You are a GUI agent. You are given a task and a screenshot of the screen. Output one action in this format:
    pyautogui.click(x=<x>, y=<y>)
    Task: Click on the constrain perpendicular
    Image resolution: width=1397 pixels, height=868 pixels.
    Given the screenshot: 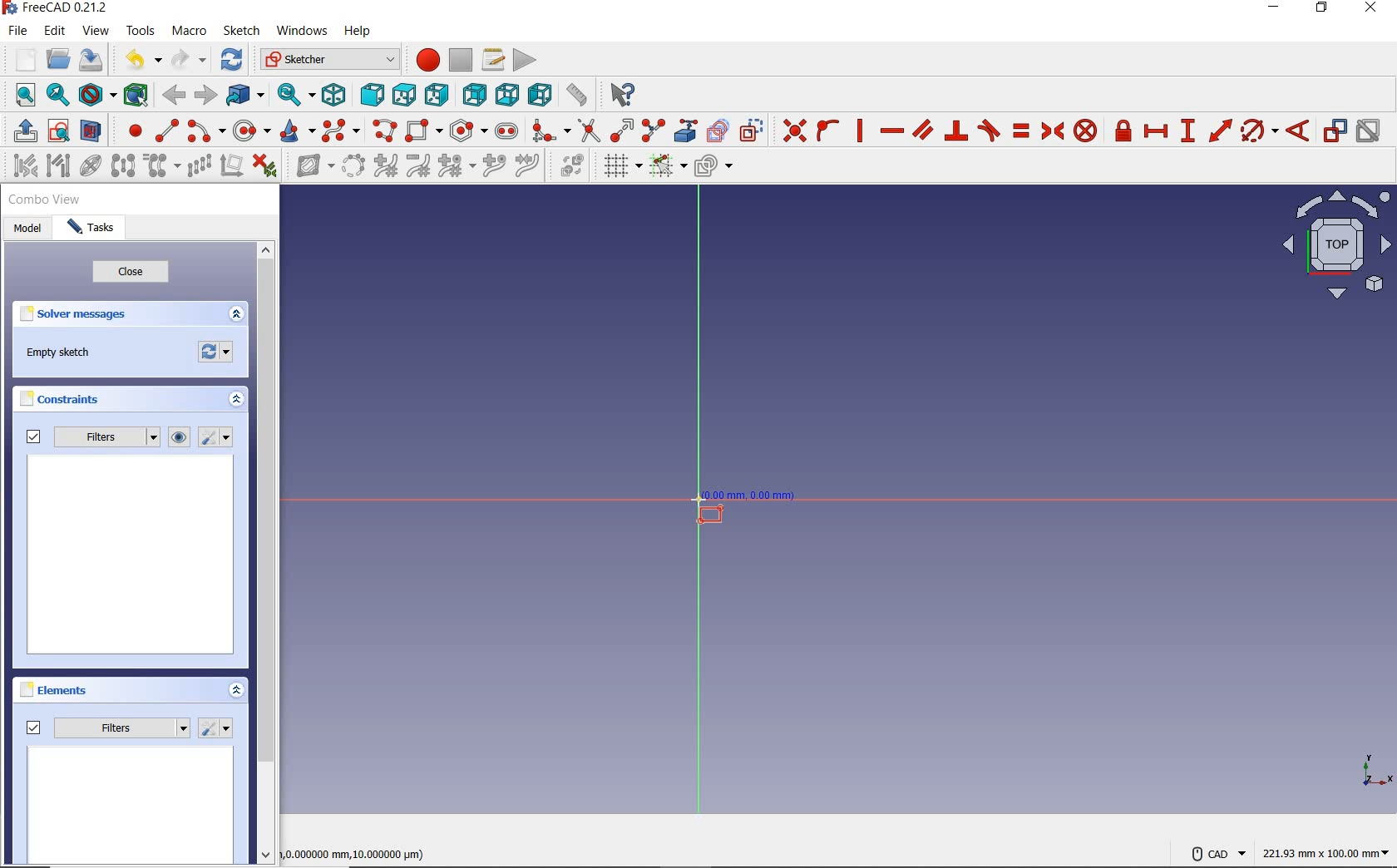 What is the action you would take?
    pyautogui.click(x=956, y=131)
    